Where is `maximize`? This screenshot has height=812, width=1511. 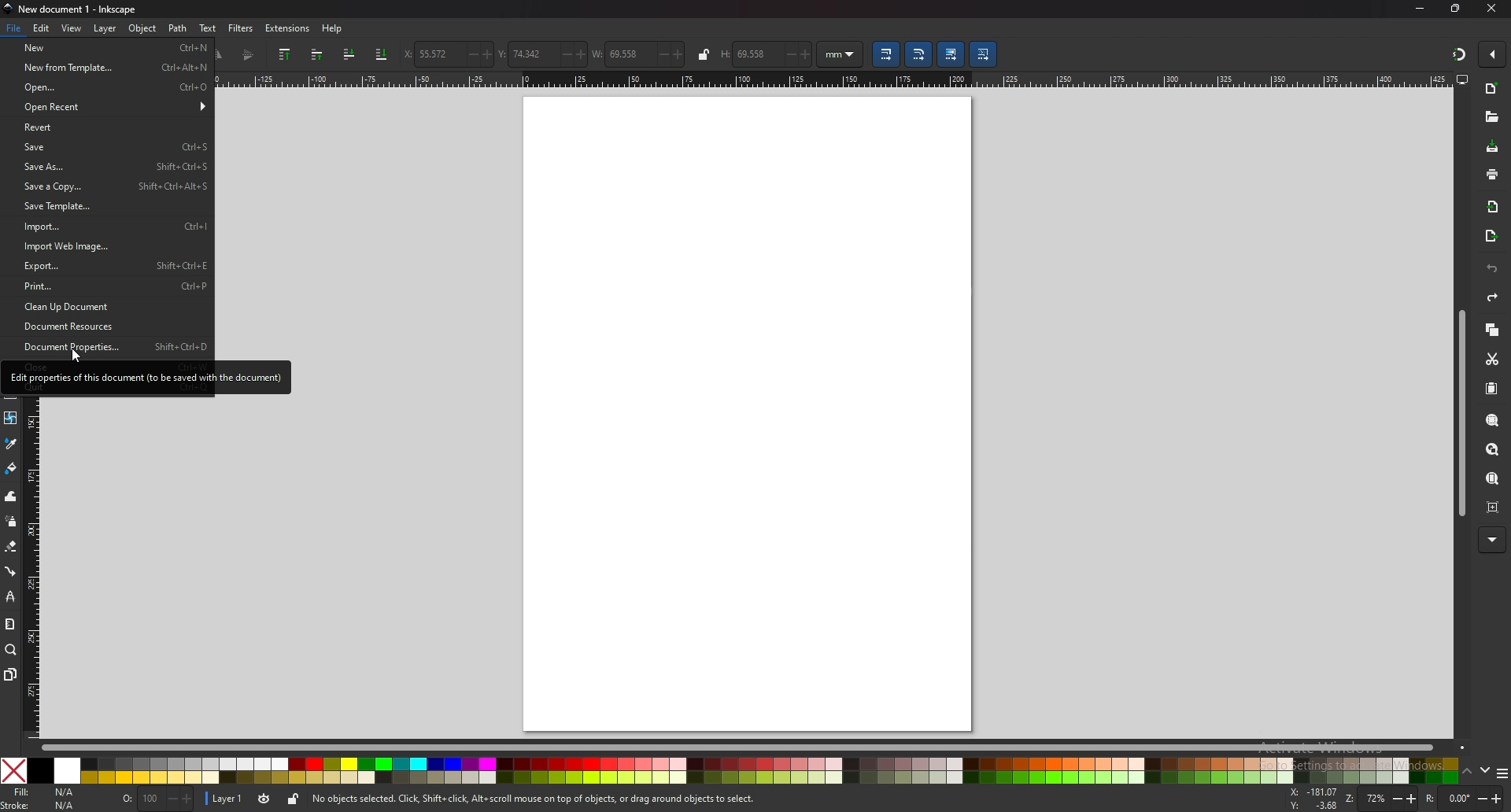
maximize is located at coordinates (1456, 9).